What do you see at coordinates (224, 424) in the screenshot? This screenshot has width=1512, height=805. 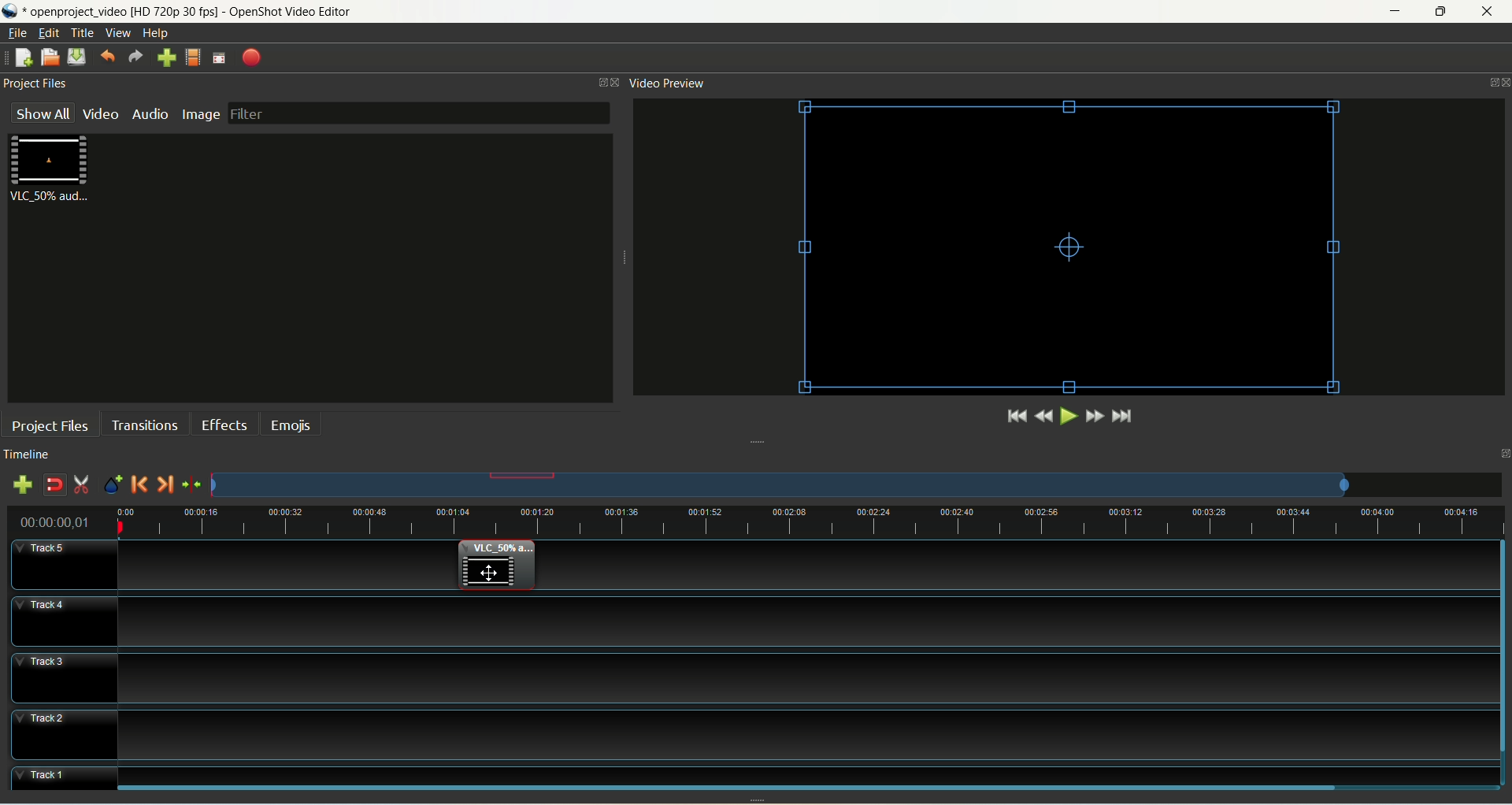 I see `effects` at bounding box center [224, 424].